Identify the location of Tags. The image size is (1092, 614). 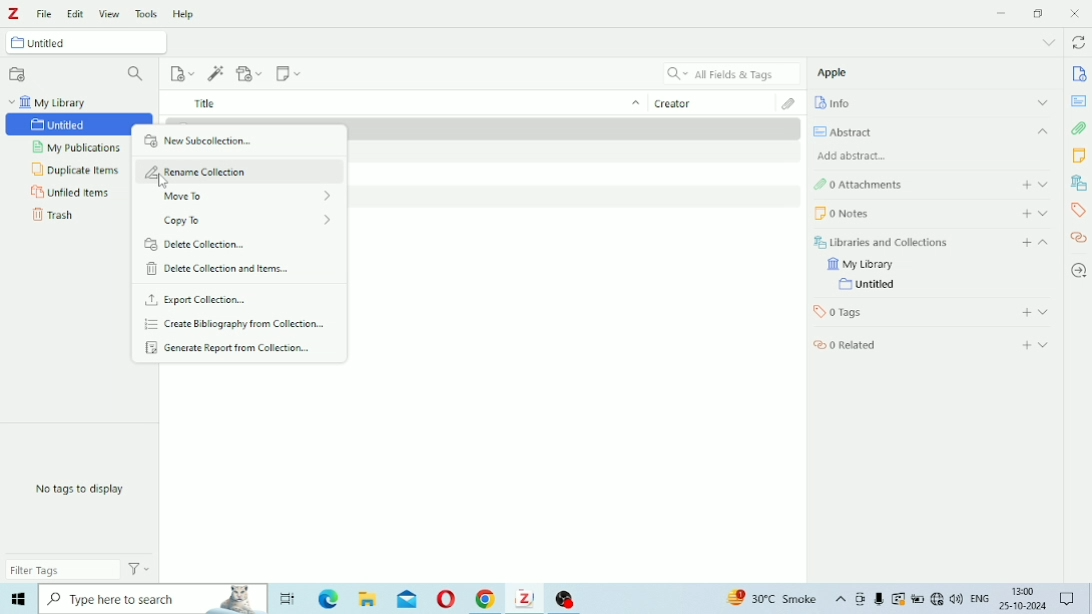
(1077, 209).